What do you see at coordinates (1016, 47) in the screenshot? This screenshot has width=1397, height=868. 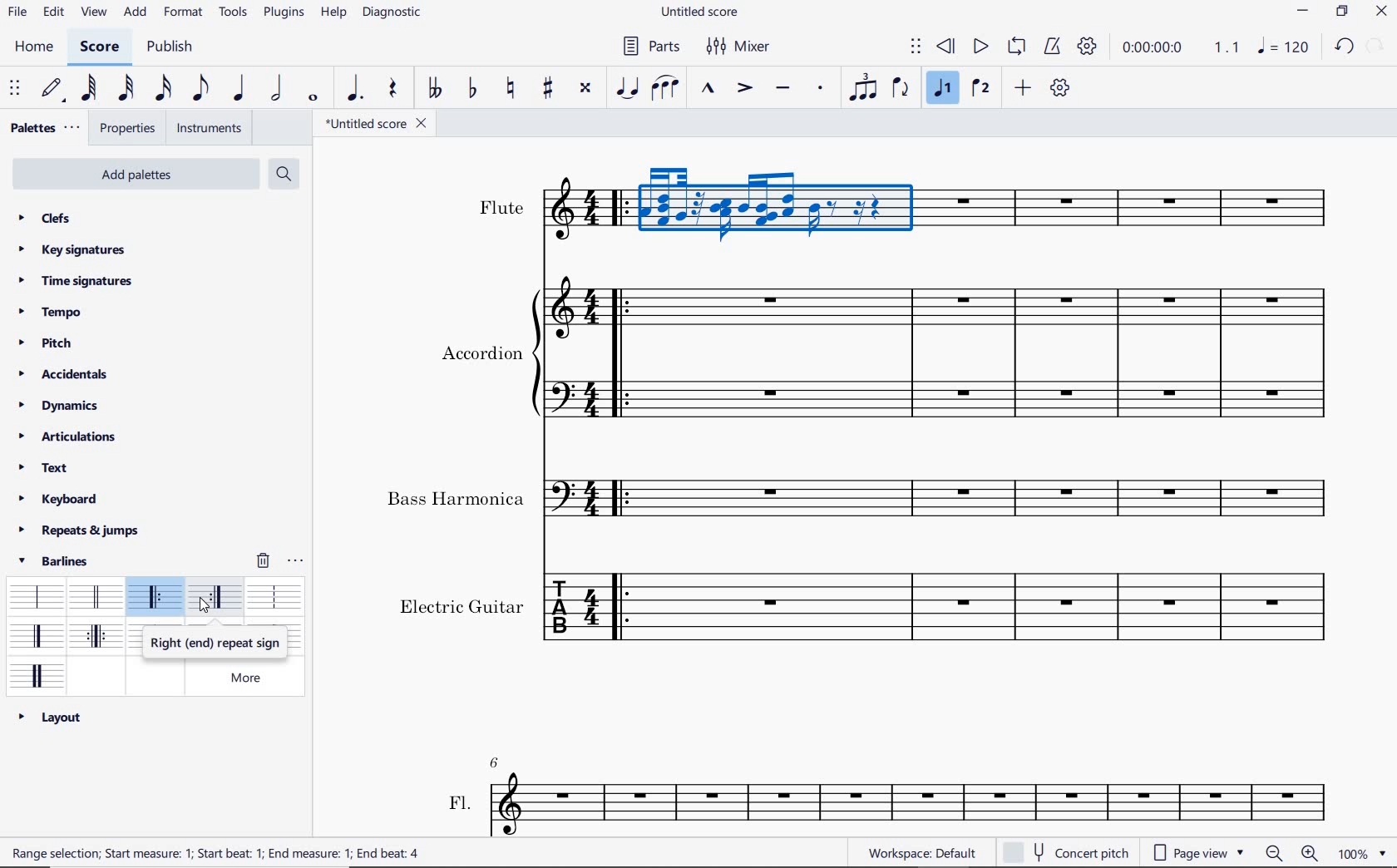 I see `loop playback` at bounding box center [1016, 47].